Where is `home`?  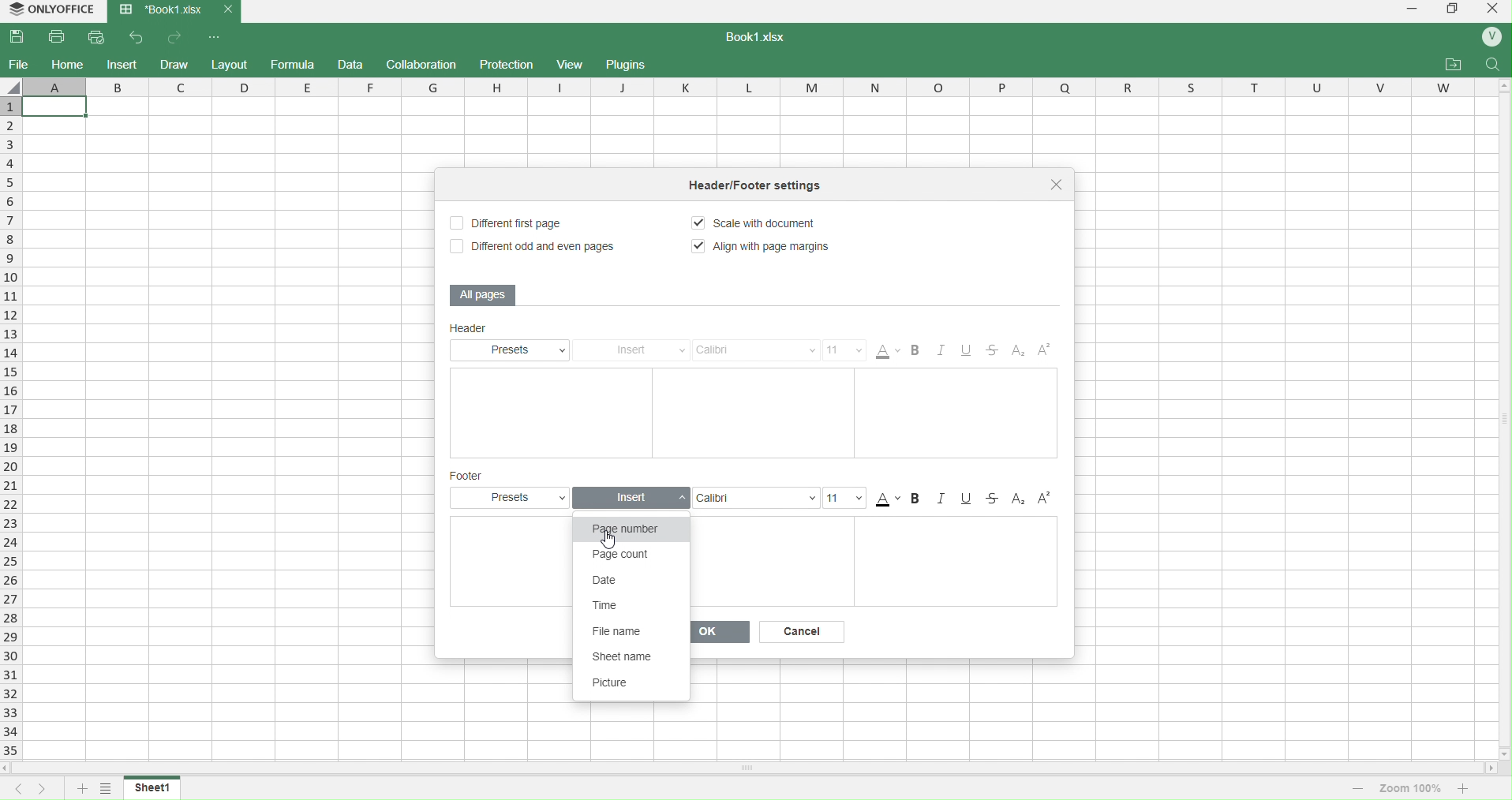
home is located at coordinates (68, 64).